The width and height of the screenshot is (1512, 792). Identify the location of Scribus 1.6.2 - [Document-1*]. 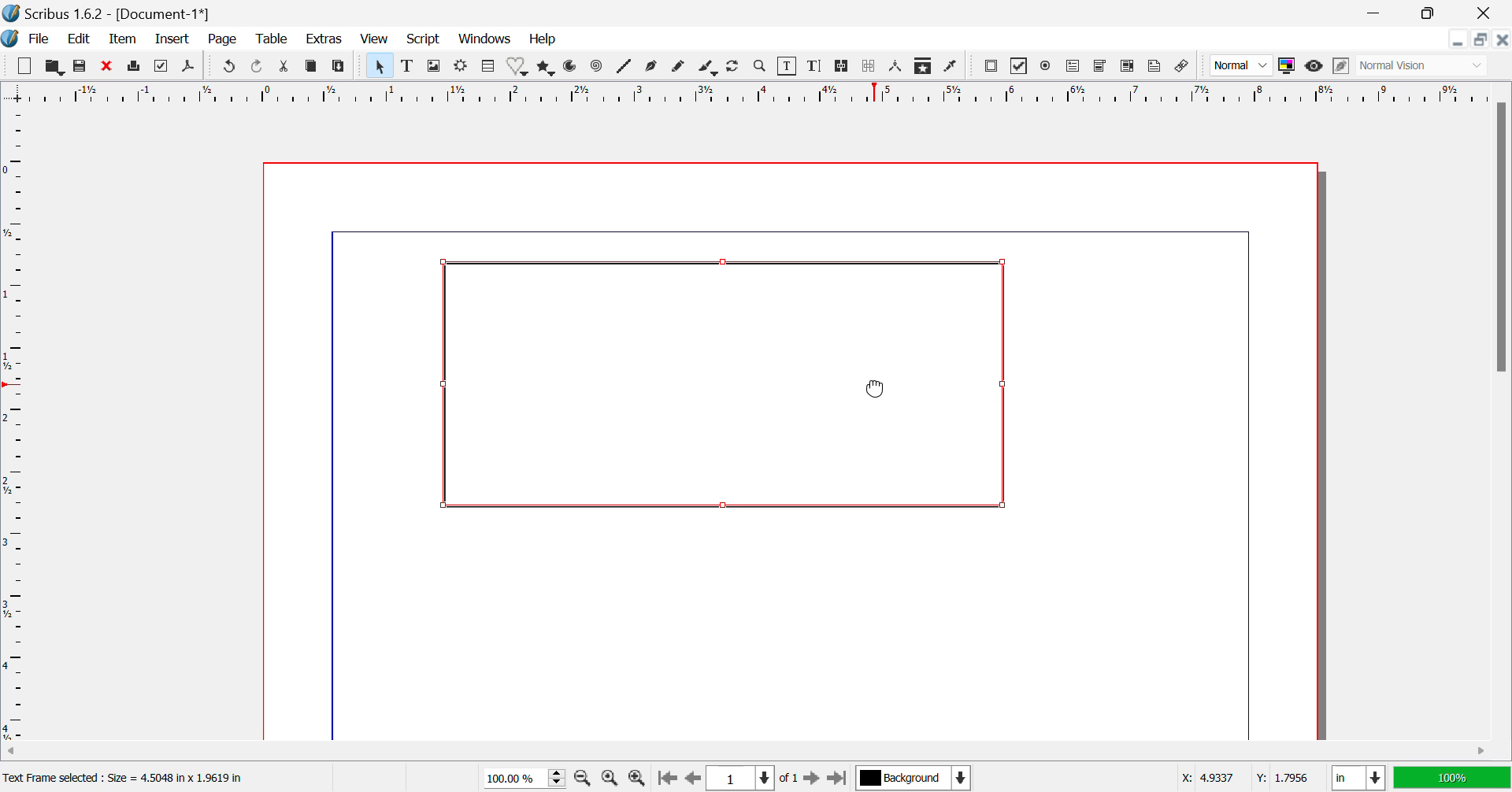
(115, 13).